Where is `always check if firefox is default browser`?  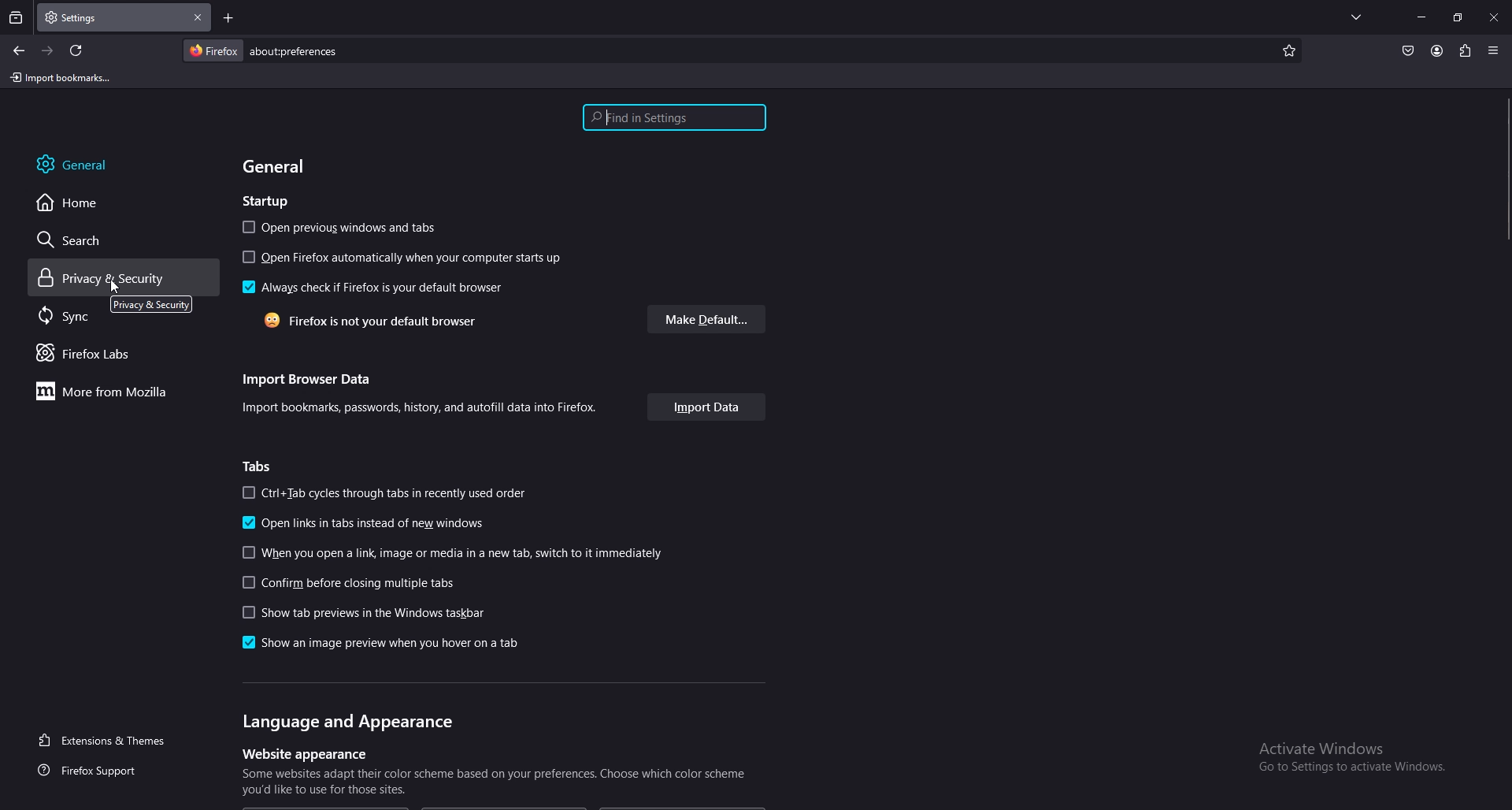 always check if firefox is default browser is located at coordinates (376, 289).